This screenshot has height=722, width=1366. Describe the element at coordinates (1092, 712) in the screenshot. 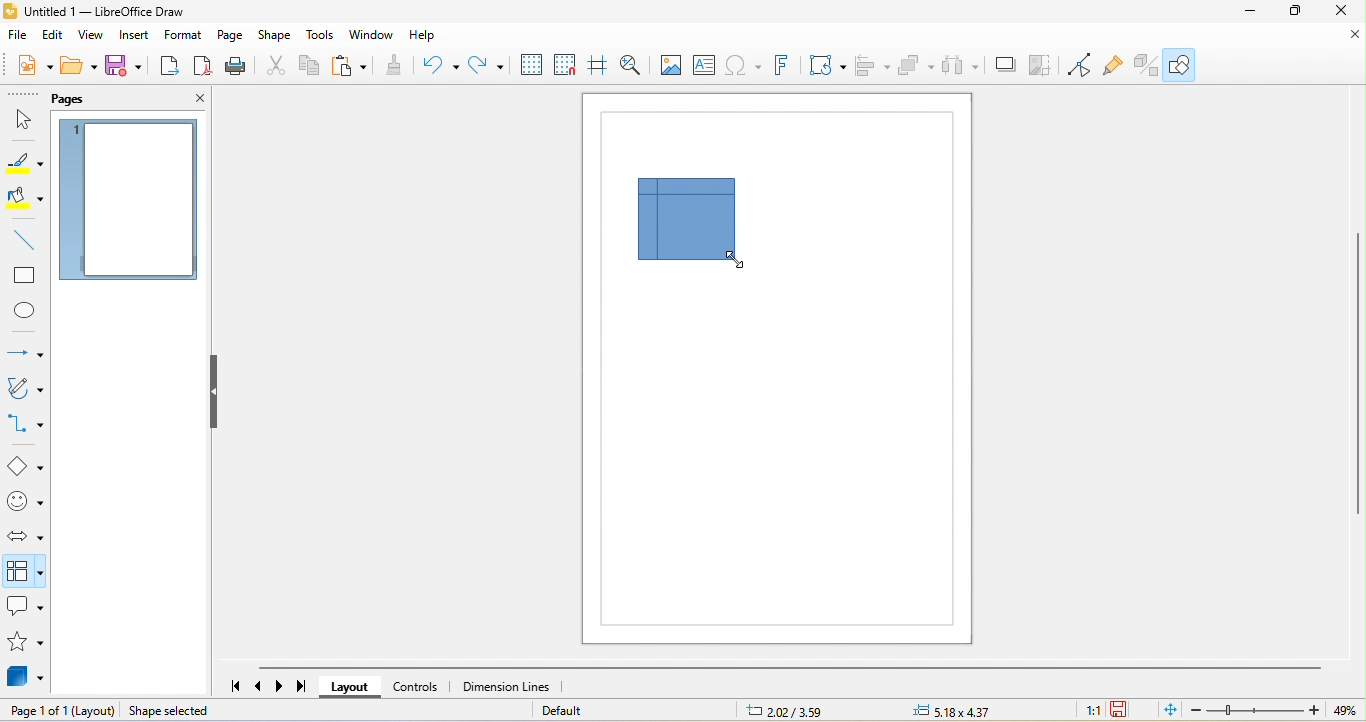

I see `1:1` at that location.